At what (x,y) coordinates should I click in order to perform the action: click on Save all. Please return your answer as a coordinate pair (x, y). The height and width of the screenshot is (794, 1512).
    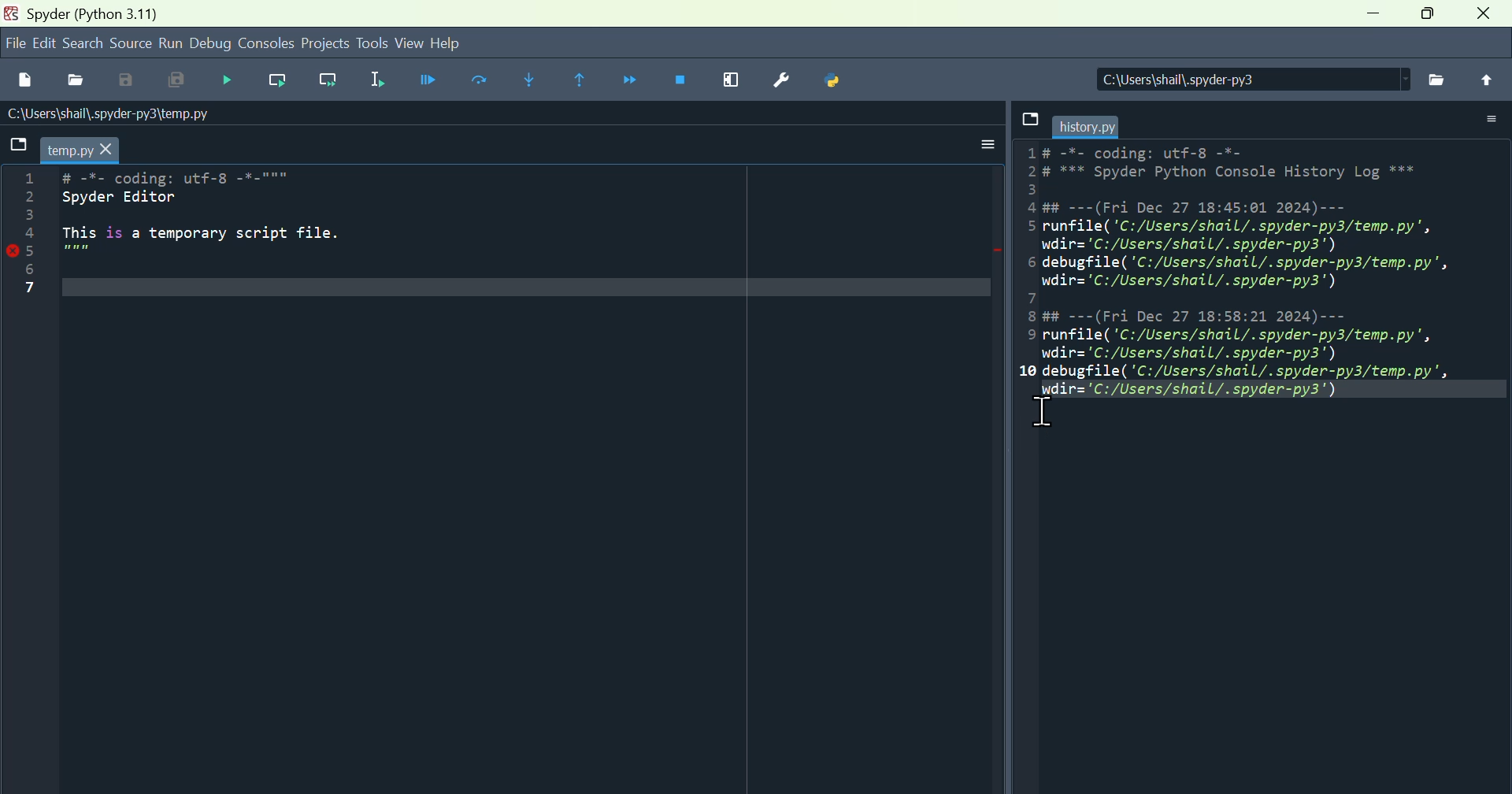
    Looking at the image, I should click on (182, 81).